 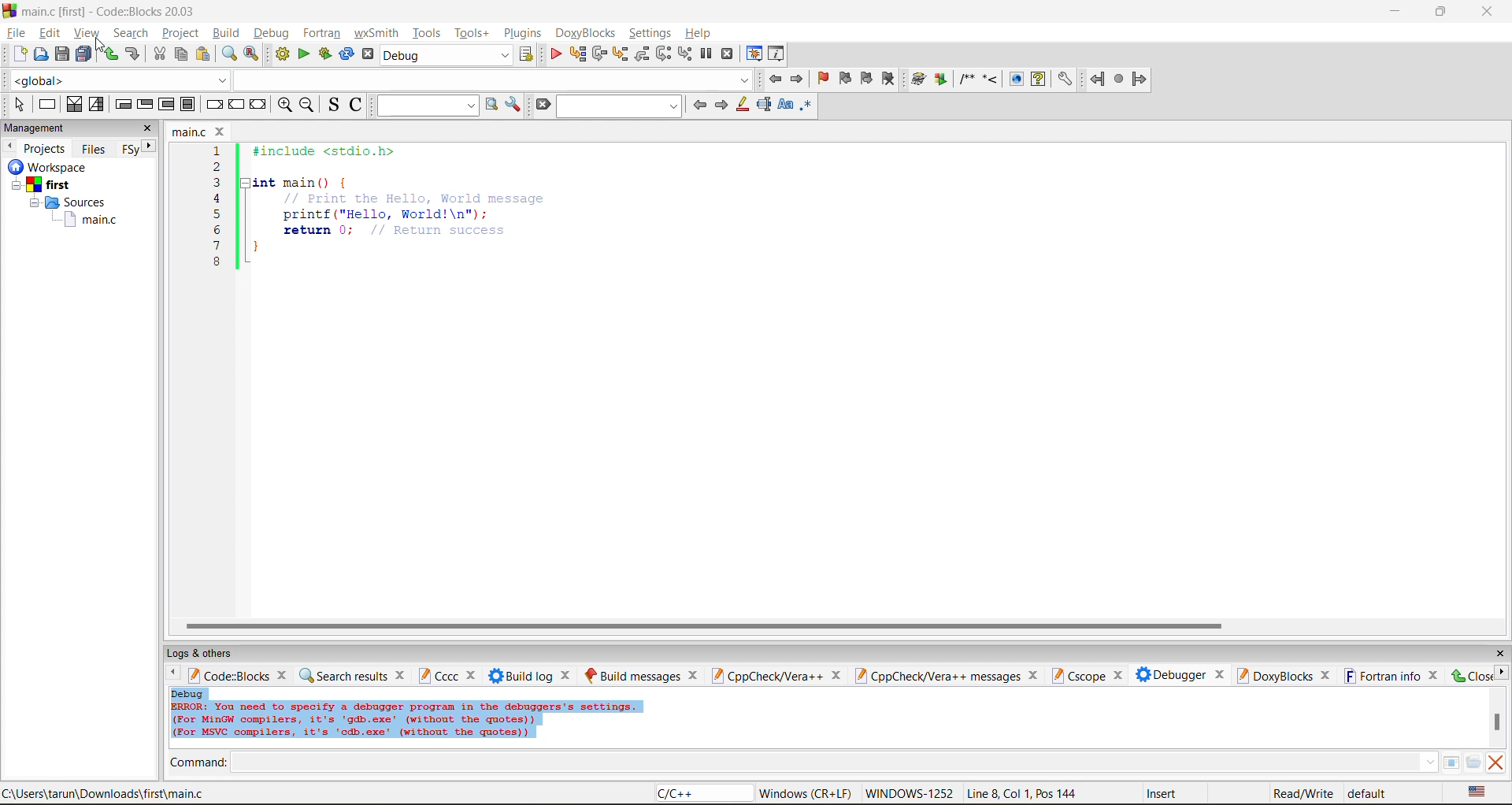 I want to click on code completion compiler, so click(x=377, y=80).